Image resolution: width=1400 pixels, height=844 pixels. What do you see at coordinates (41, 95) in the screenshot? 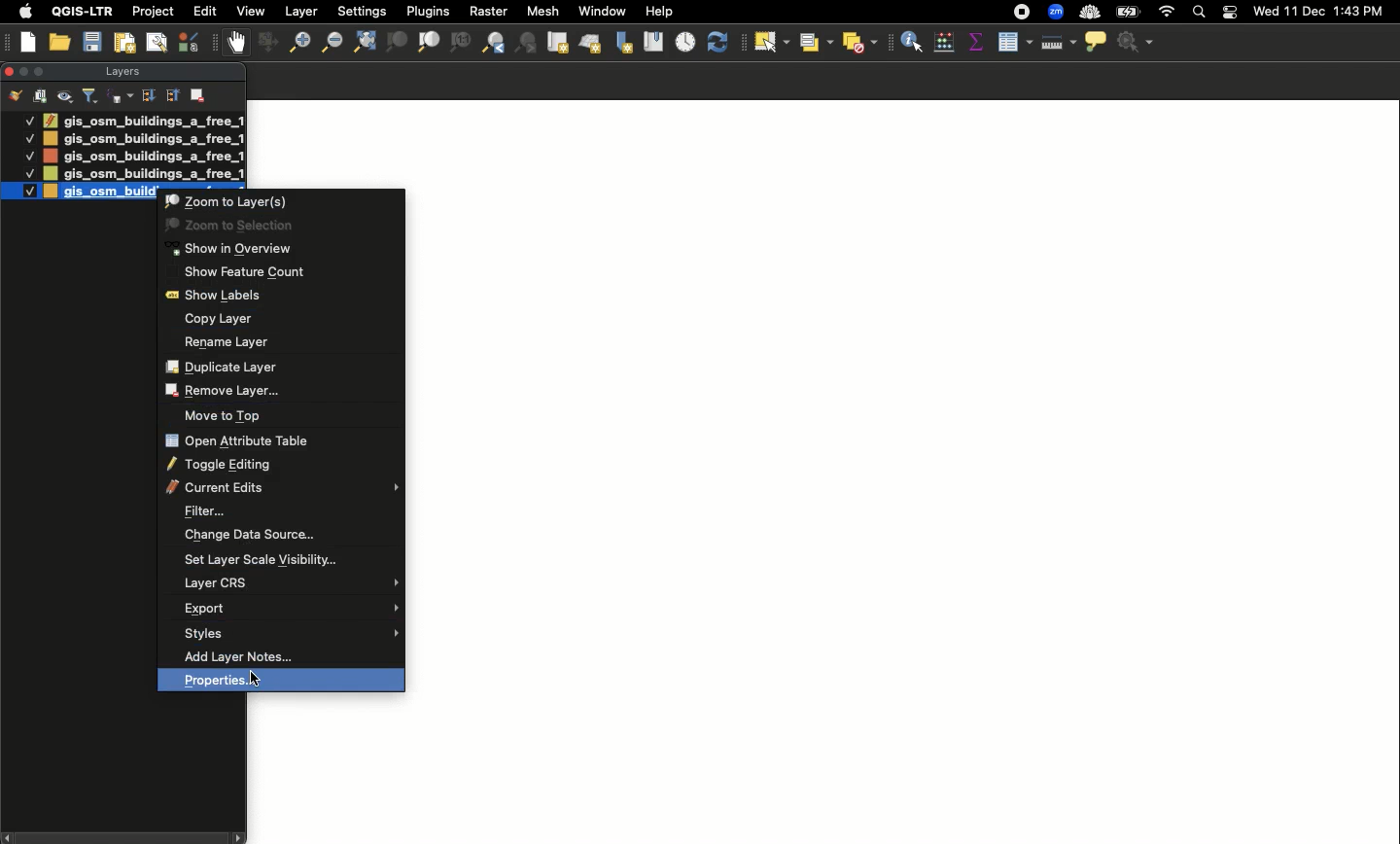
I see `Add group` at bounding box center [41, 95].